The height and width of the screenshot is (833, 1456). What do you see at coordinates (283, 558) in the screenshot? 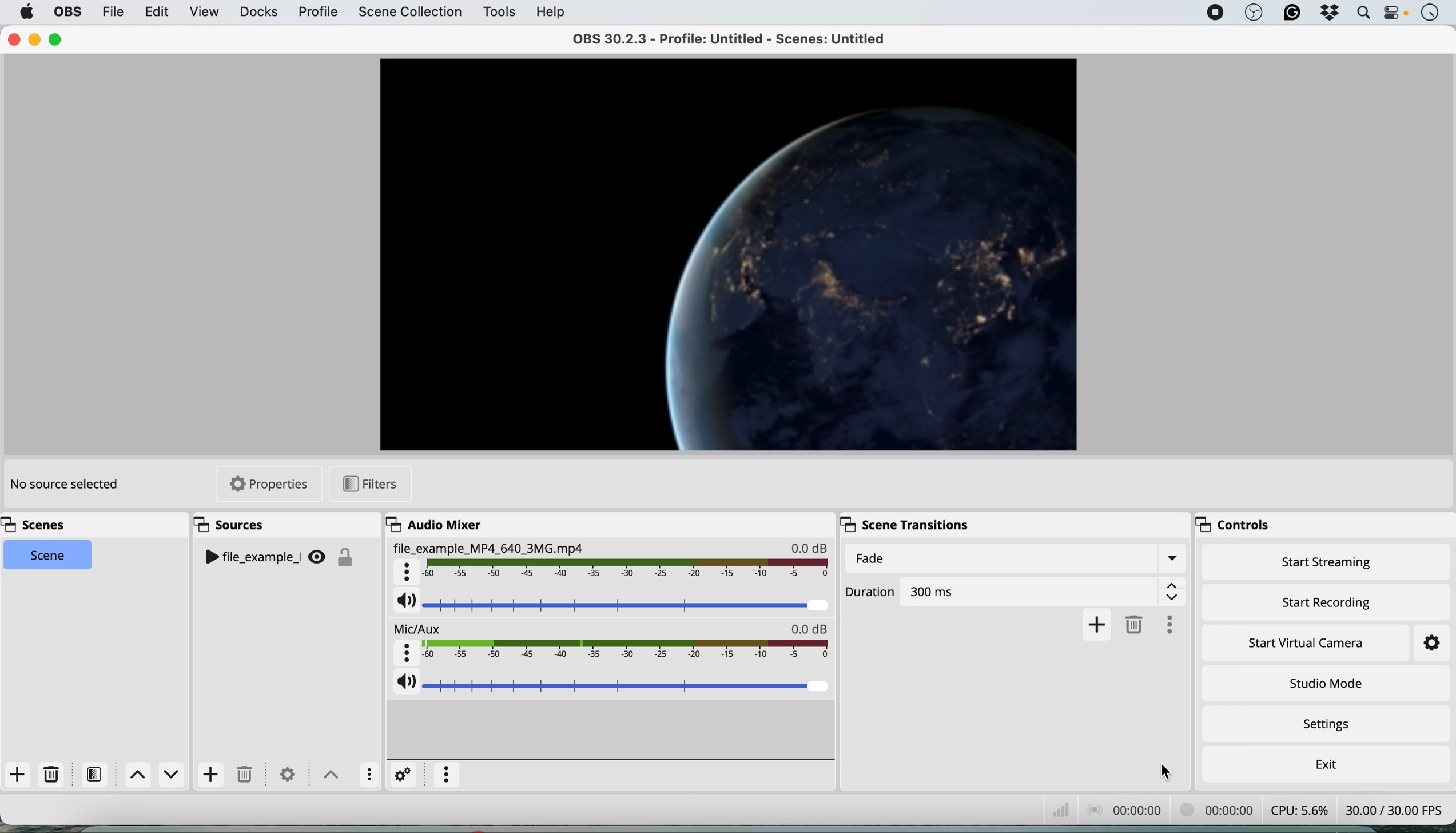
I see `current source` at bounding box center [283, 558].